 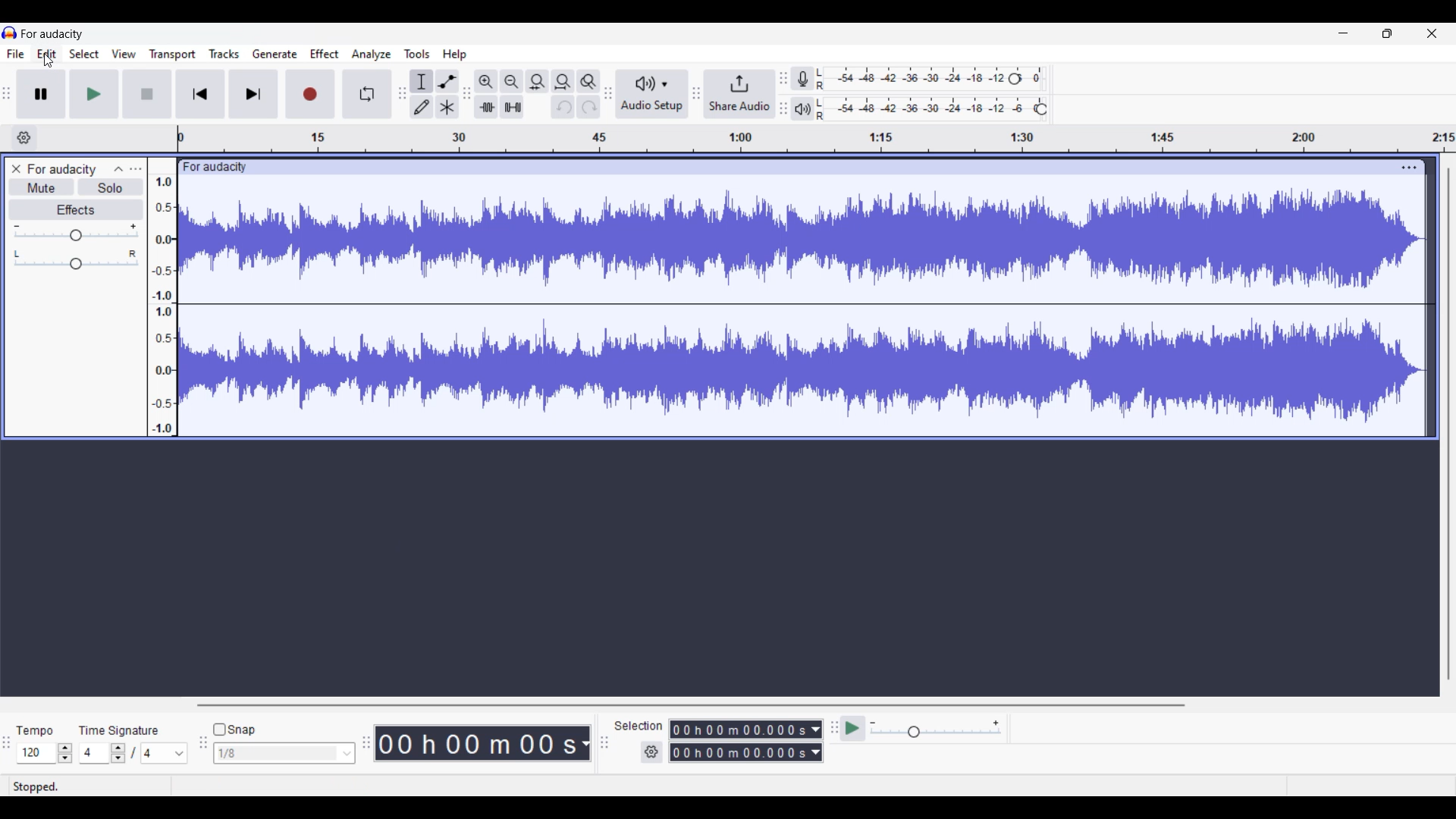 I want to click on Pan to left, so click(x=17, y=254).